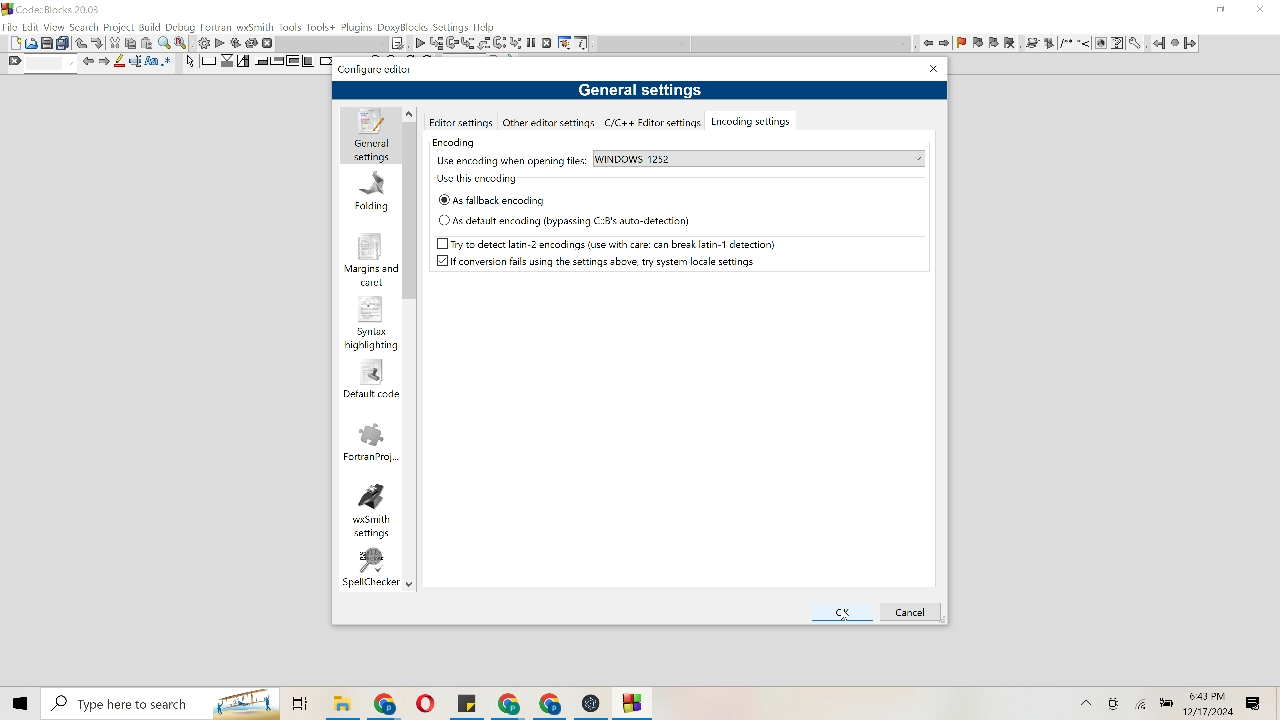 Image resolution: width=1280 pixels, height=720 pixels. I want to click on move right, so click(945, 43).